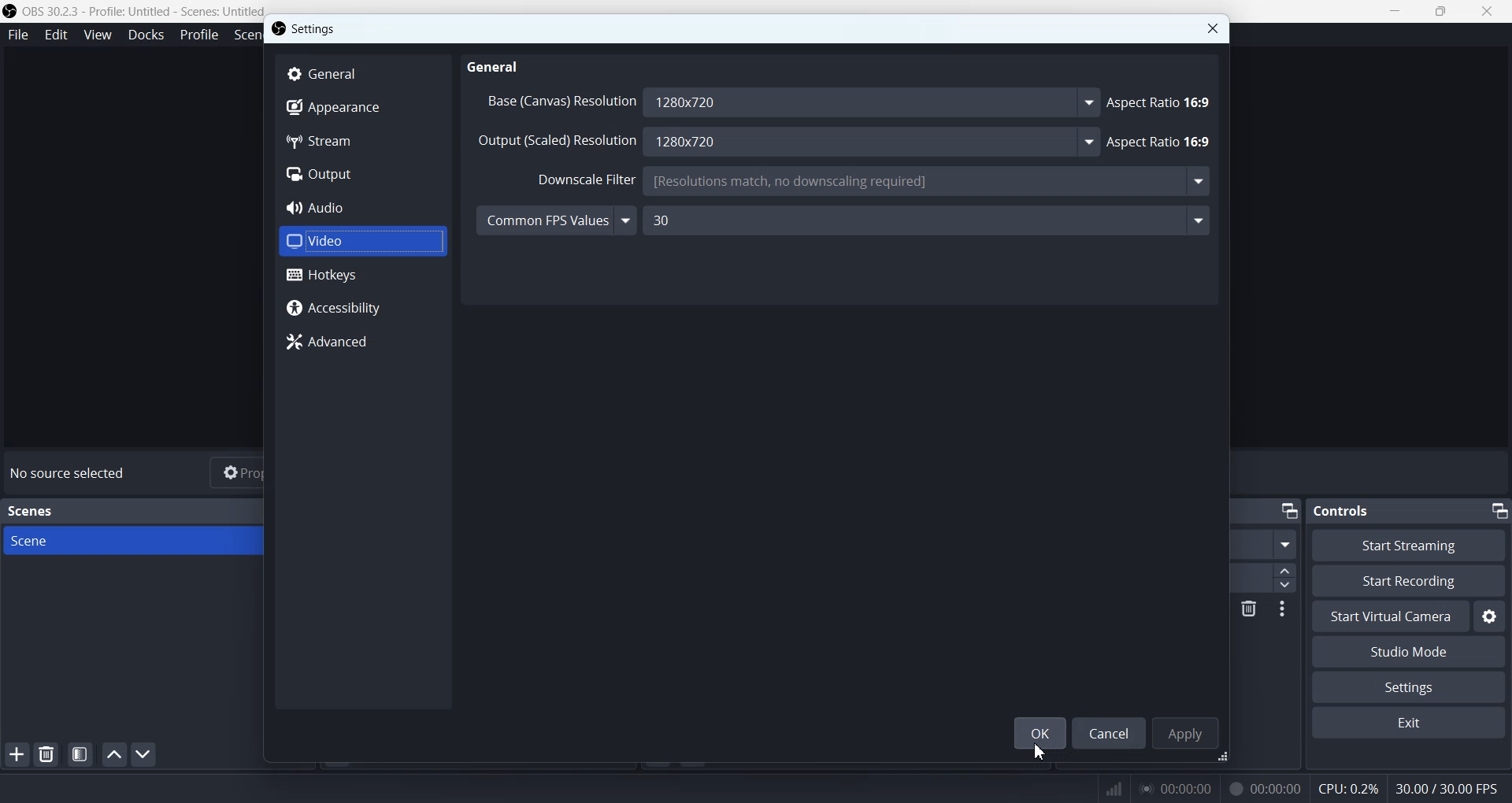  I want to click on Accessibility, so click(364, 307).